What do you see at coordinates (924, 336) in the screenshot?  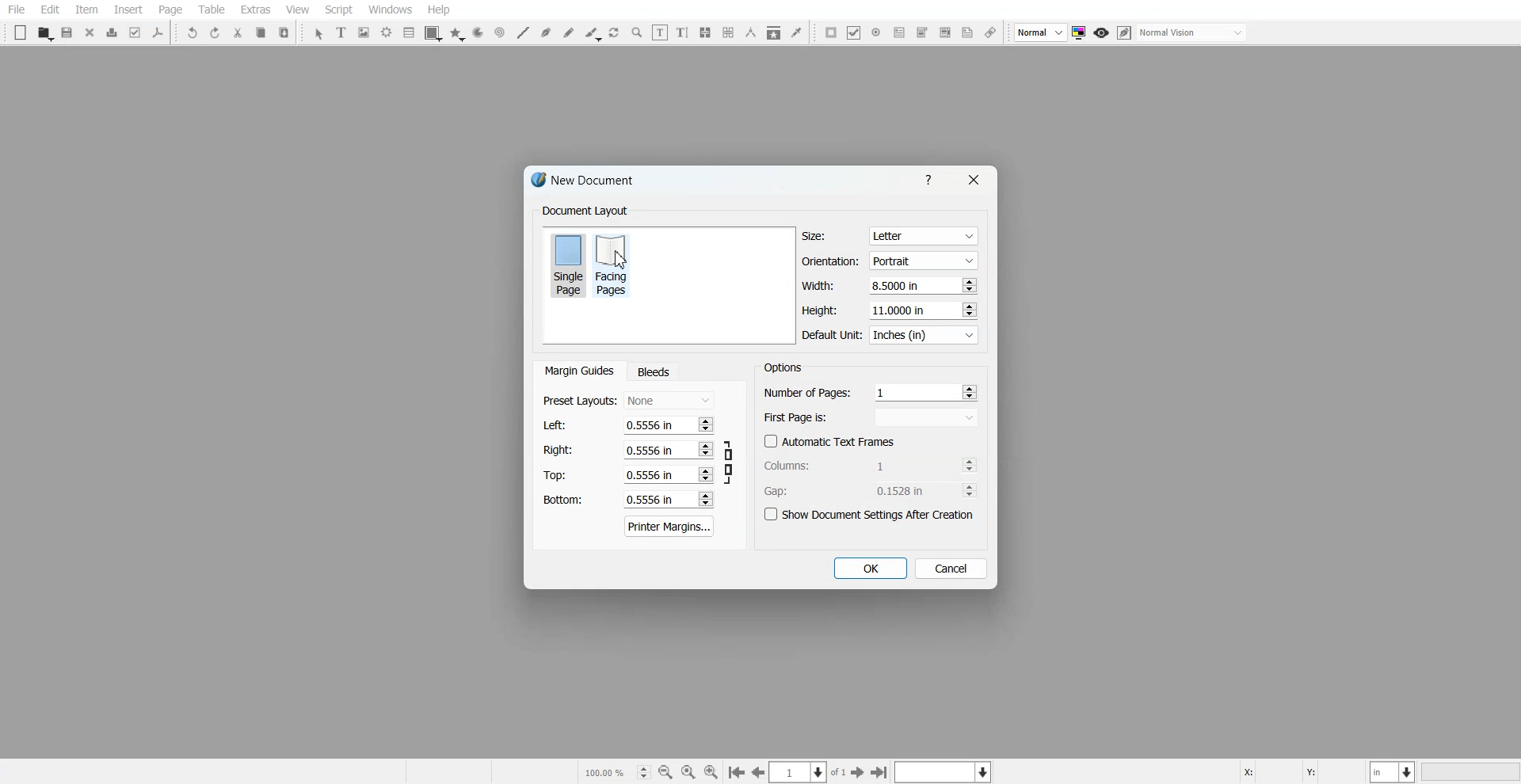 I see `Inches` at bounding box center [924, 336].